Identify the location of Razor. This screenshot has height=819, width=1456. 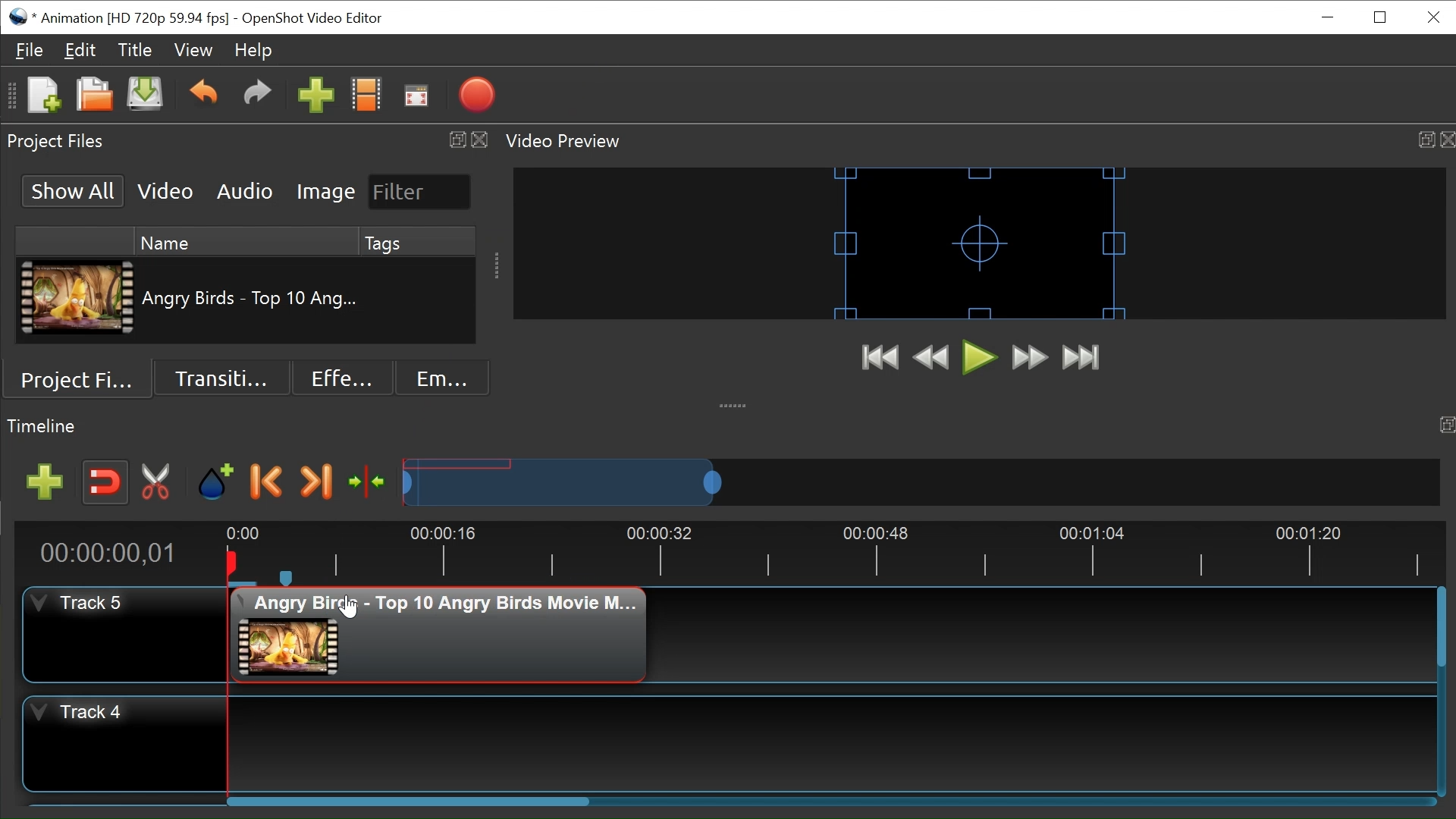
(156, 483).